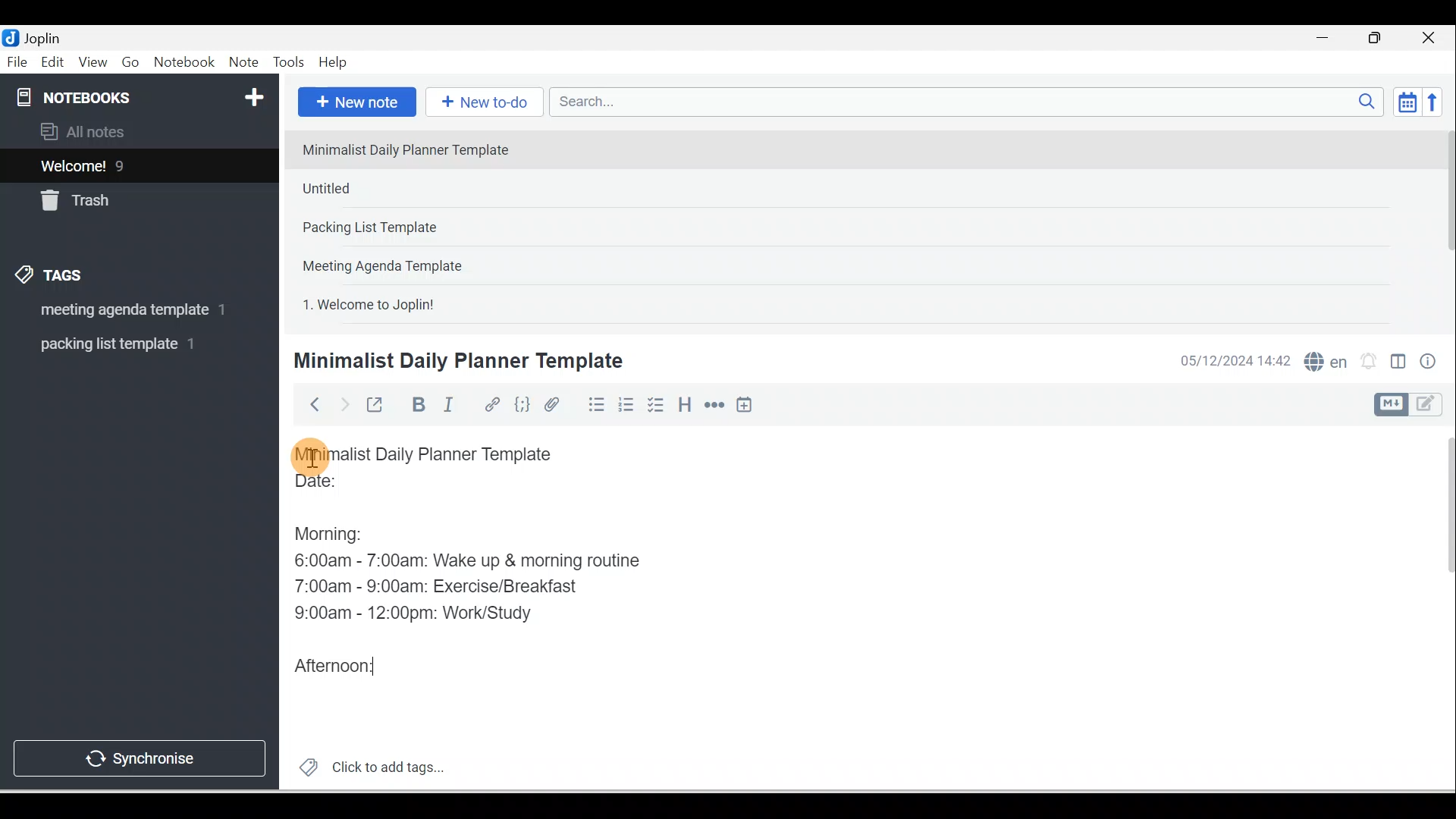  I want to click on Note 5, so click(424, 303).